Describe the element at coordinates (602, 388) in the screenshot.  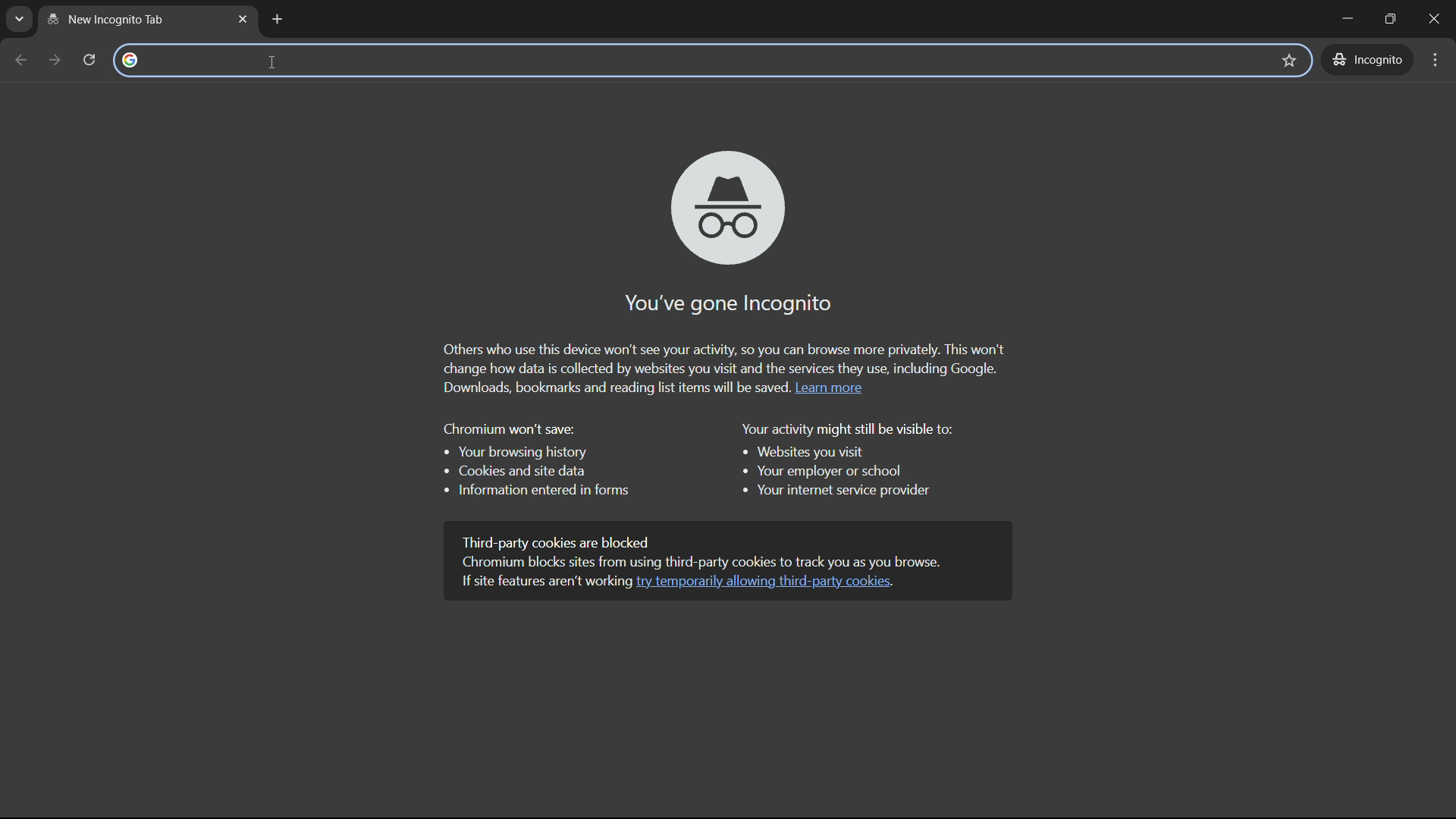
I see `Downloads, bookmarks and reading list items will be saved.` at that location.